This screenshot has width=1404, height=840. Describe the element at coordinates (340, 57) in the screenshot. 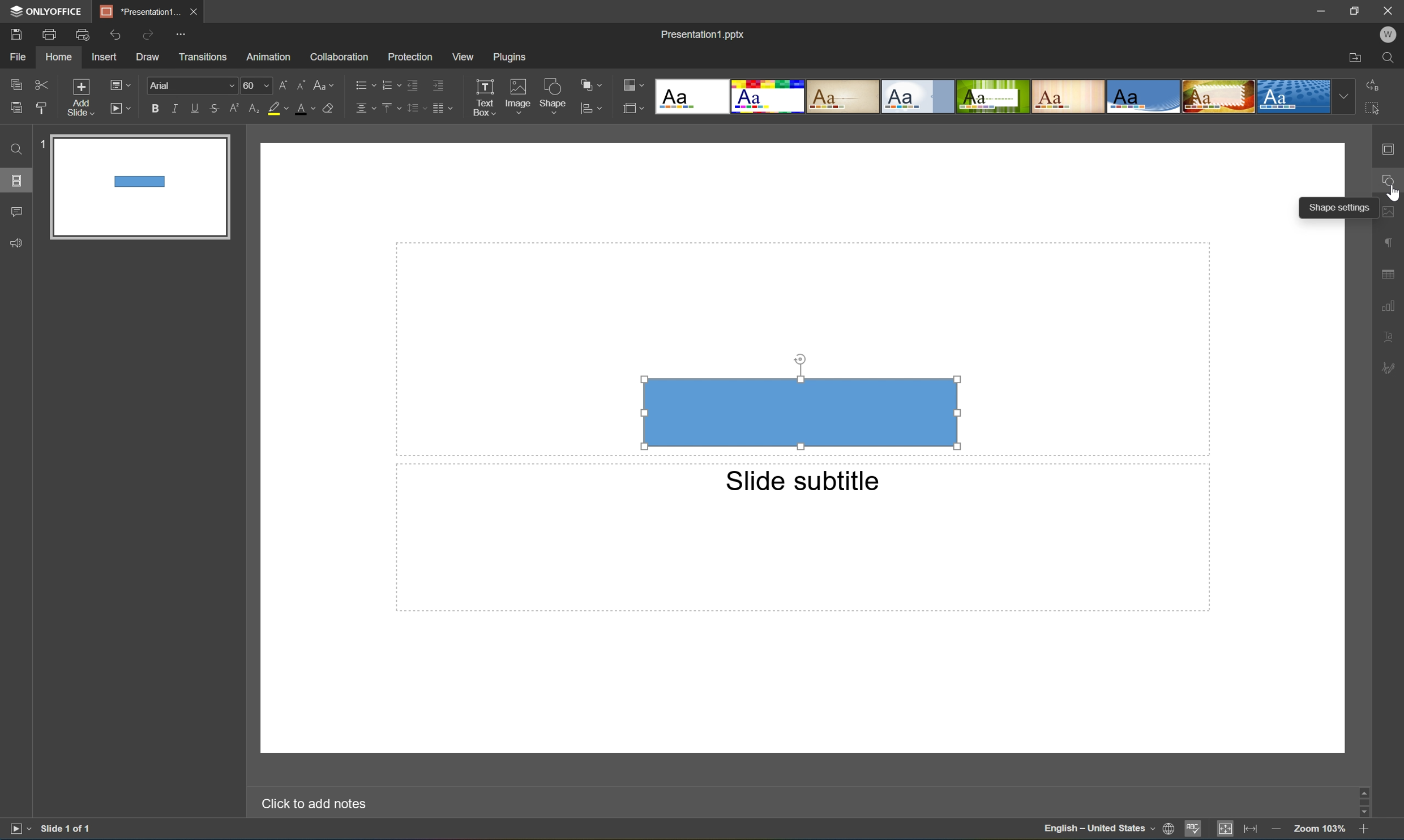

I see `Collaboration` at that location.